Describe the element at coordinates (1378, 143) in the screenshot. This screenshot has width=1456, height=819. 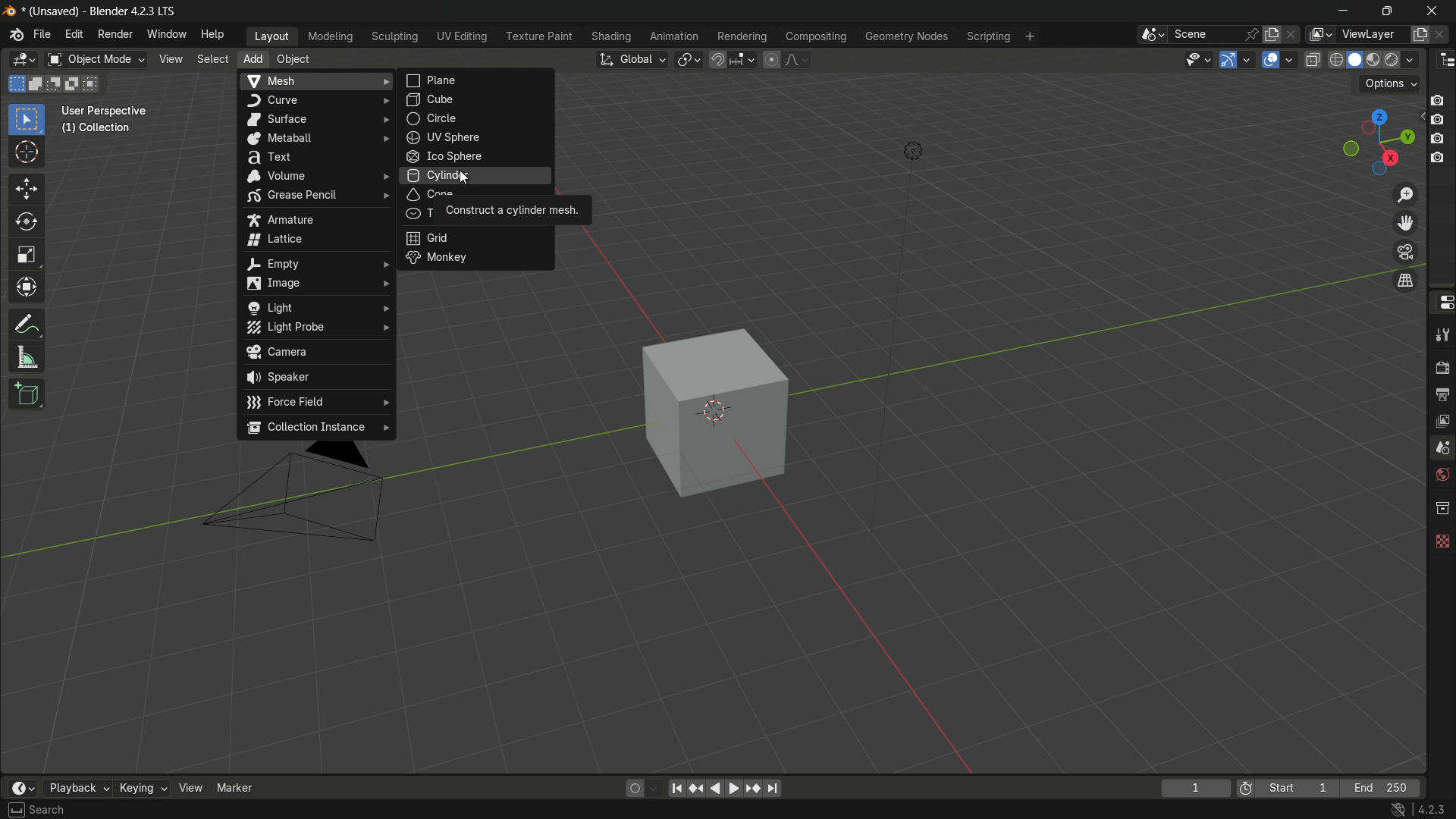
I see `preset viewpoint` at that location.